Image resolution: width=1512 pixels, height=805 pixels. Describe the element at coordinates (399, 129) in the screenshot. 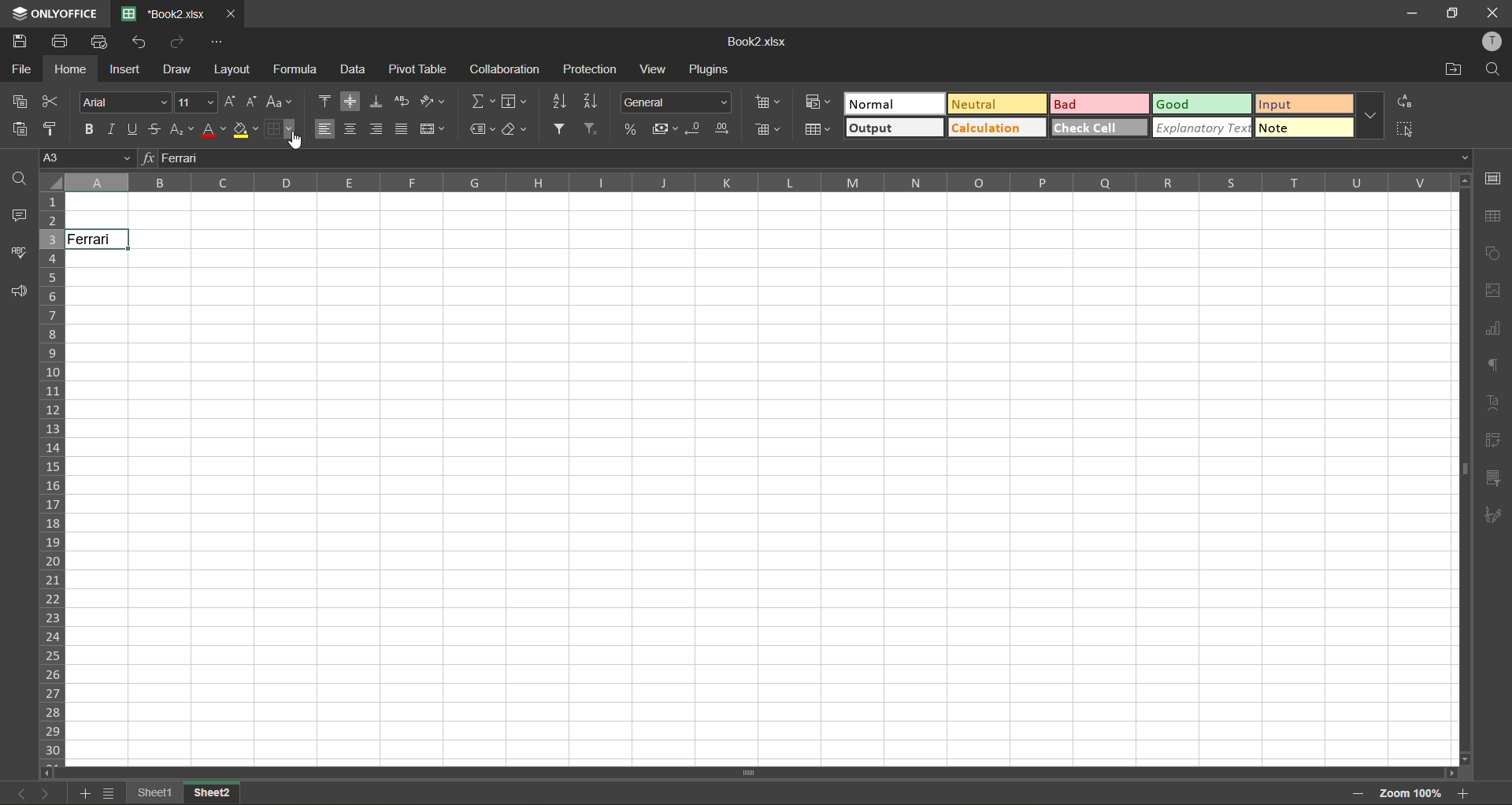

I see `justified` at that location.